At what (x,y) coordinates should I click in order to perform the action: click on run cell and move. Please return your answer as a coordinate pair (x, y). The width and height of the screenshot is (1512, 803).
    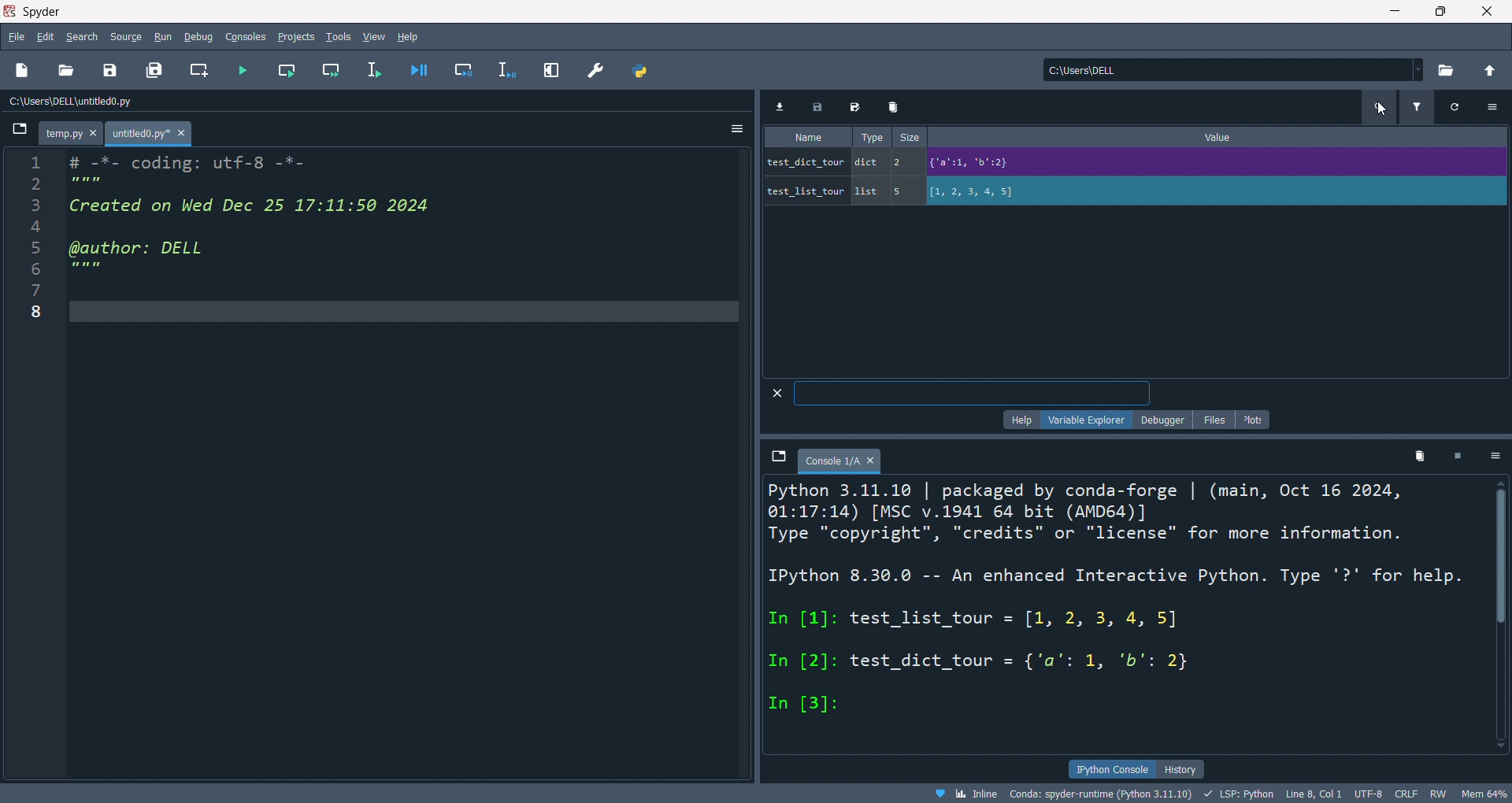
    Looking at the image, I should click on (328, 72).